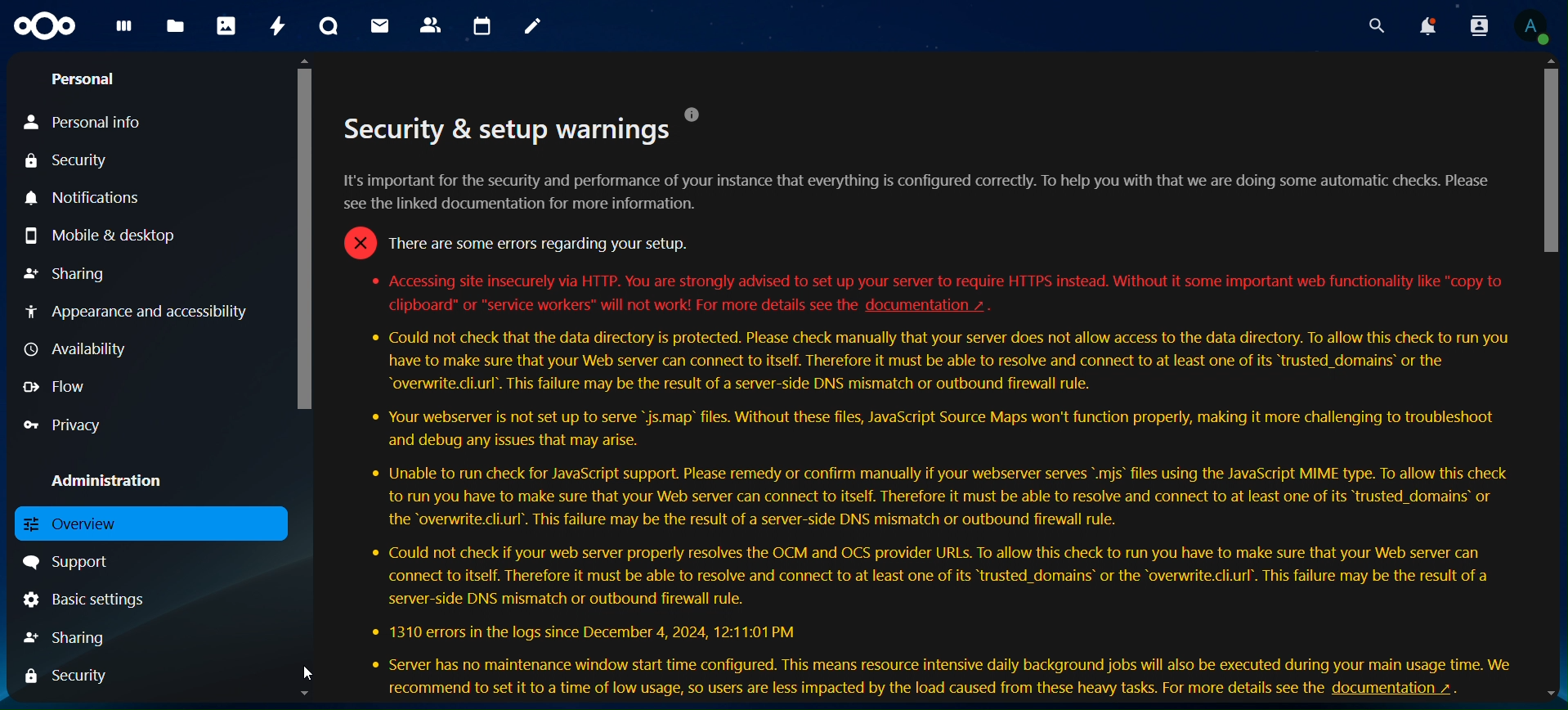 Image resolution: width=1568 pixels, height=710 pixels. What do you see at coordinates (307, 672) in the screenshot?
I see `cursor` at bounding box center [307, 672].